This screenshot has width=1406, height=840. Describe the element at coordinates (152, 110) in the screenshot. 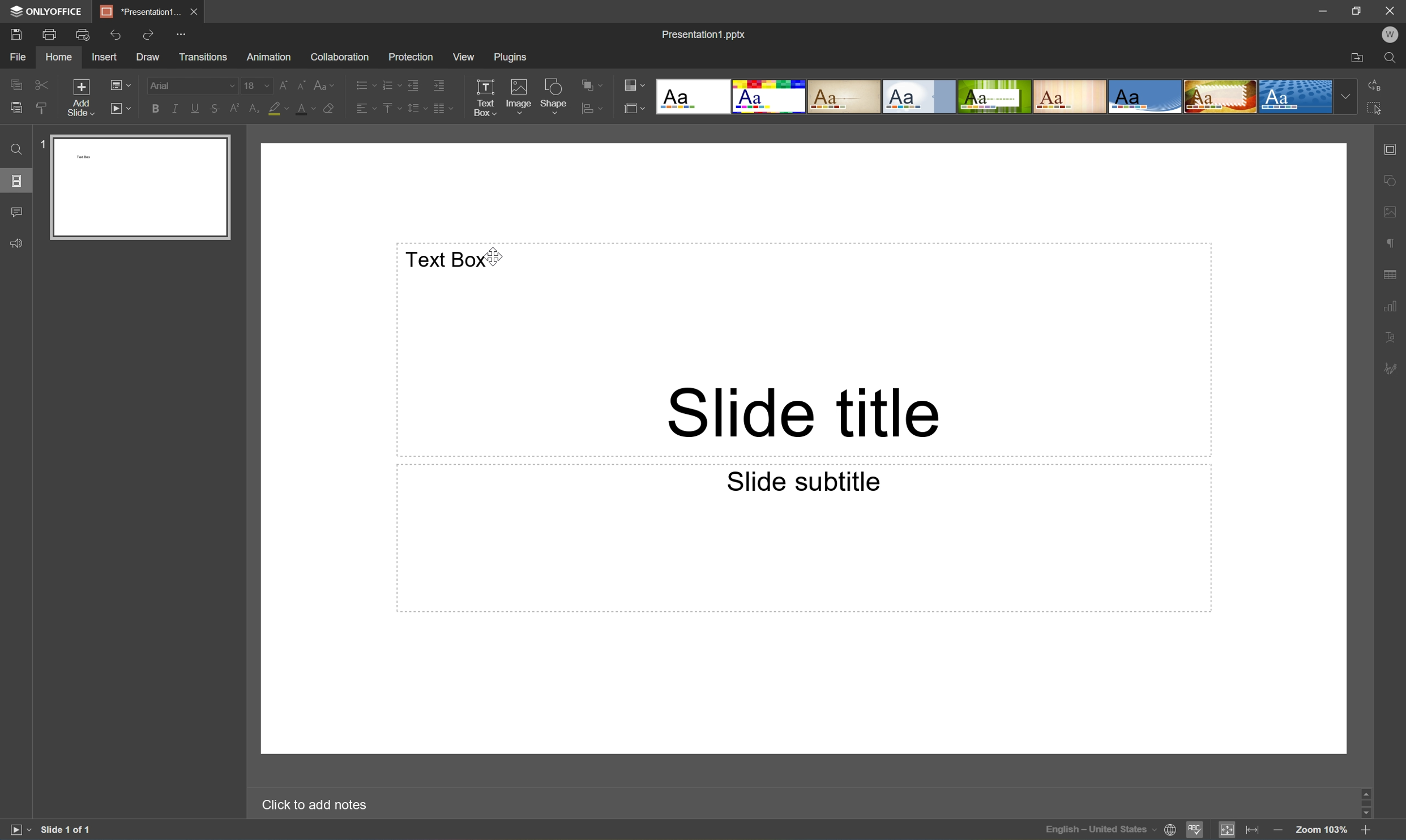

I see `Bold` at that location.